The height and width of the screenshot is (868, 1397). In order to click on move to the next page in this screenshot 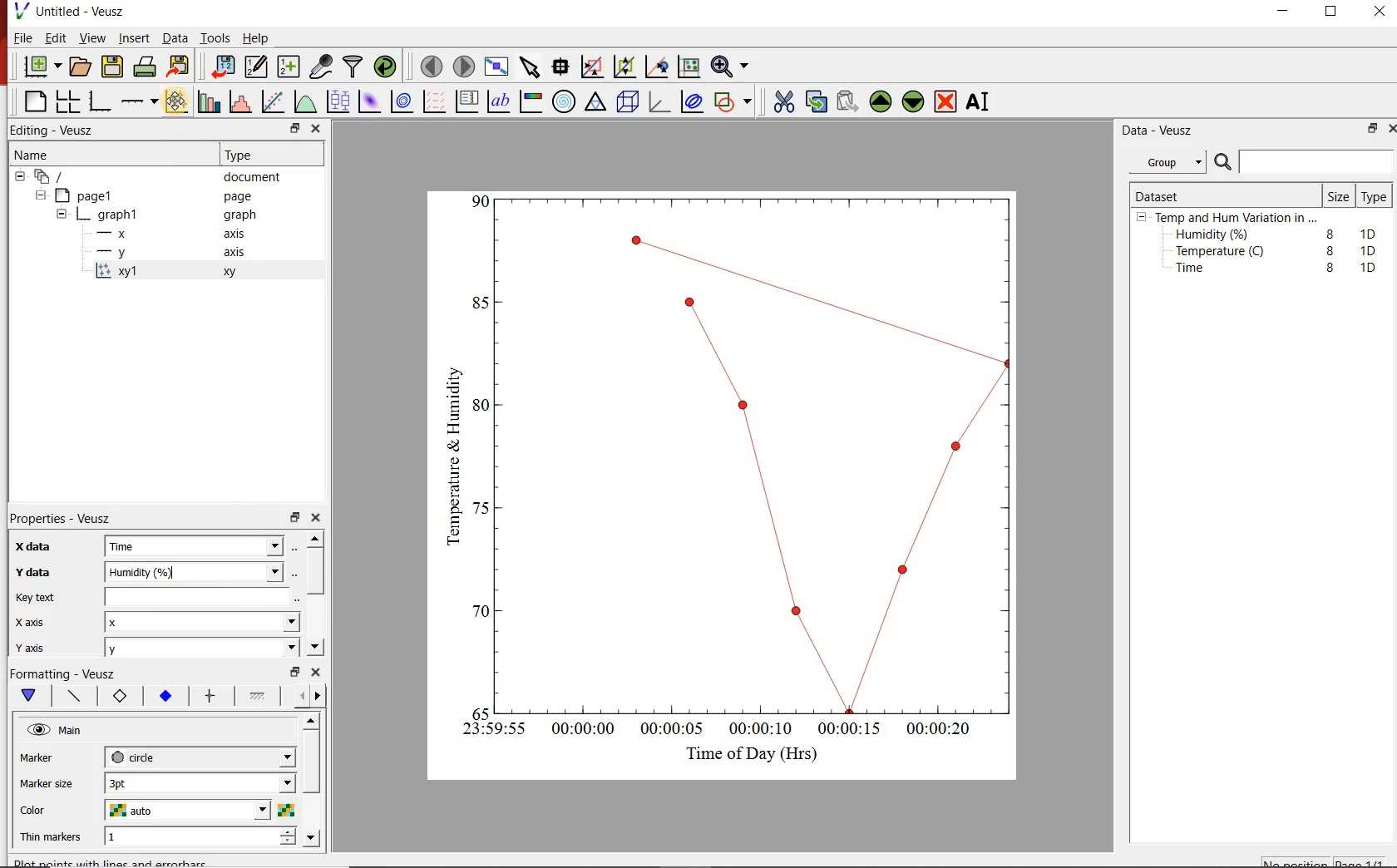, I will do `click(463, 66)`.